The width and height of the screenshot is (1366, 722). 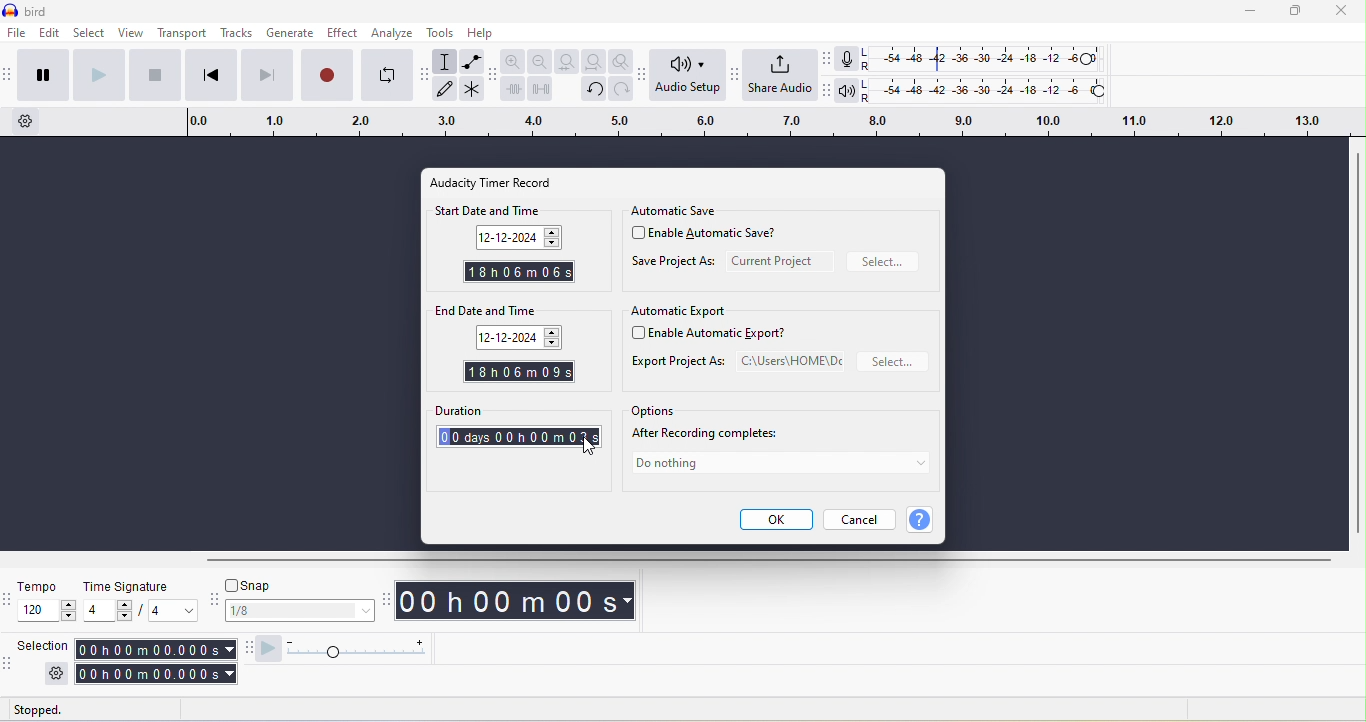 I want to click on play at speed, so click(x=361, y=648).